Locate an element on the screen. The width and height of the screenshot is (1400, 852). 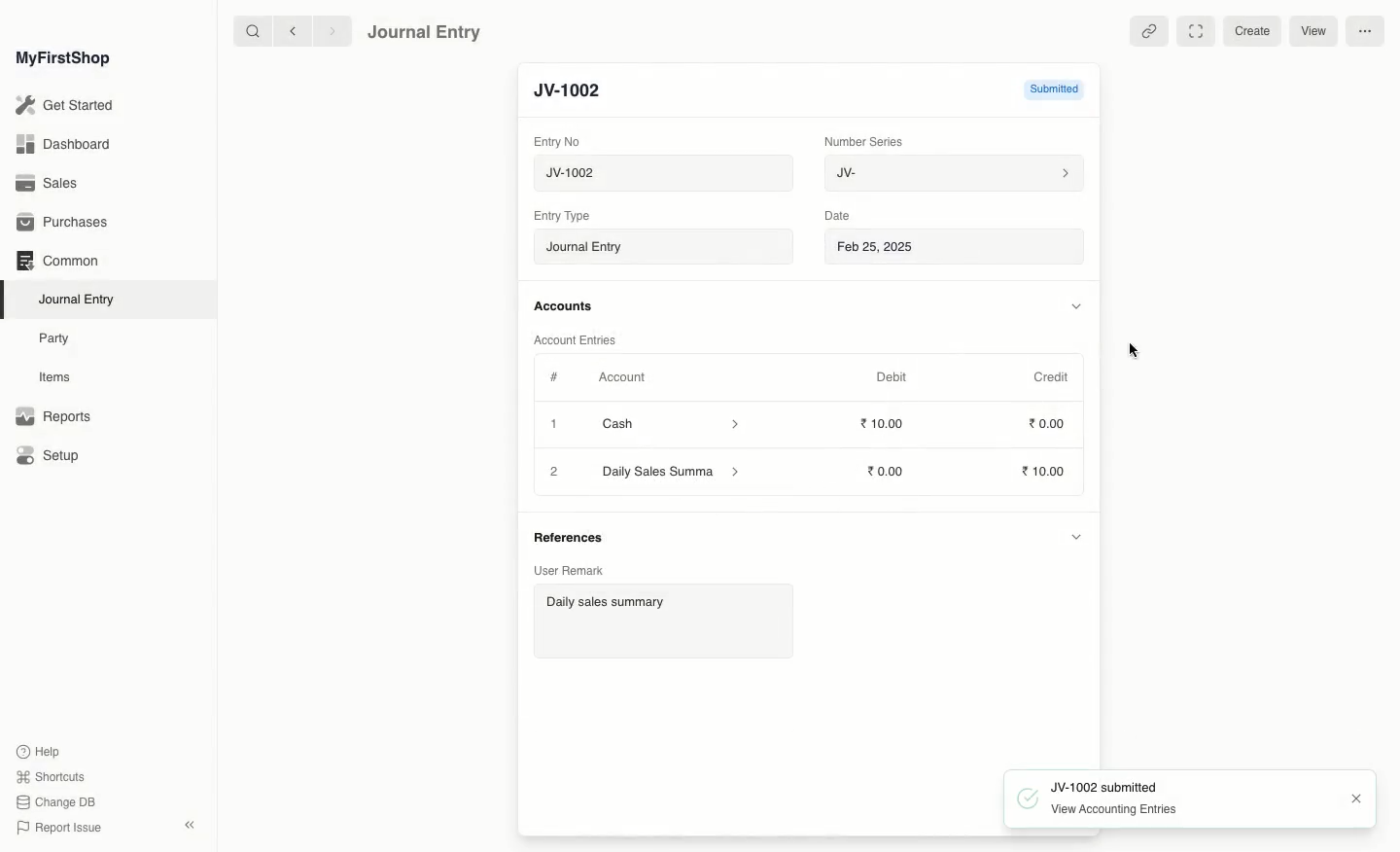
Cursor is located at coordinates (1136, 352).